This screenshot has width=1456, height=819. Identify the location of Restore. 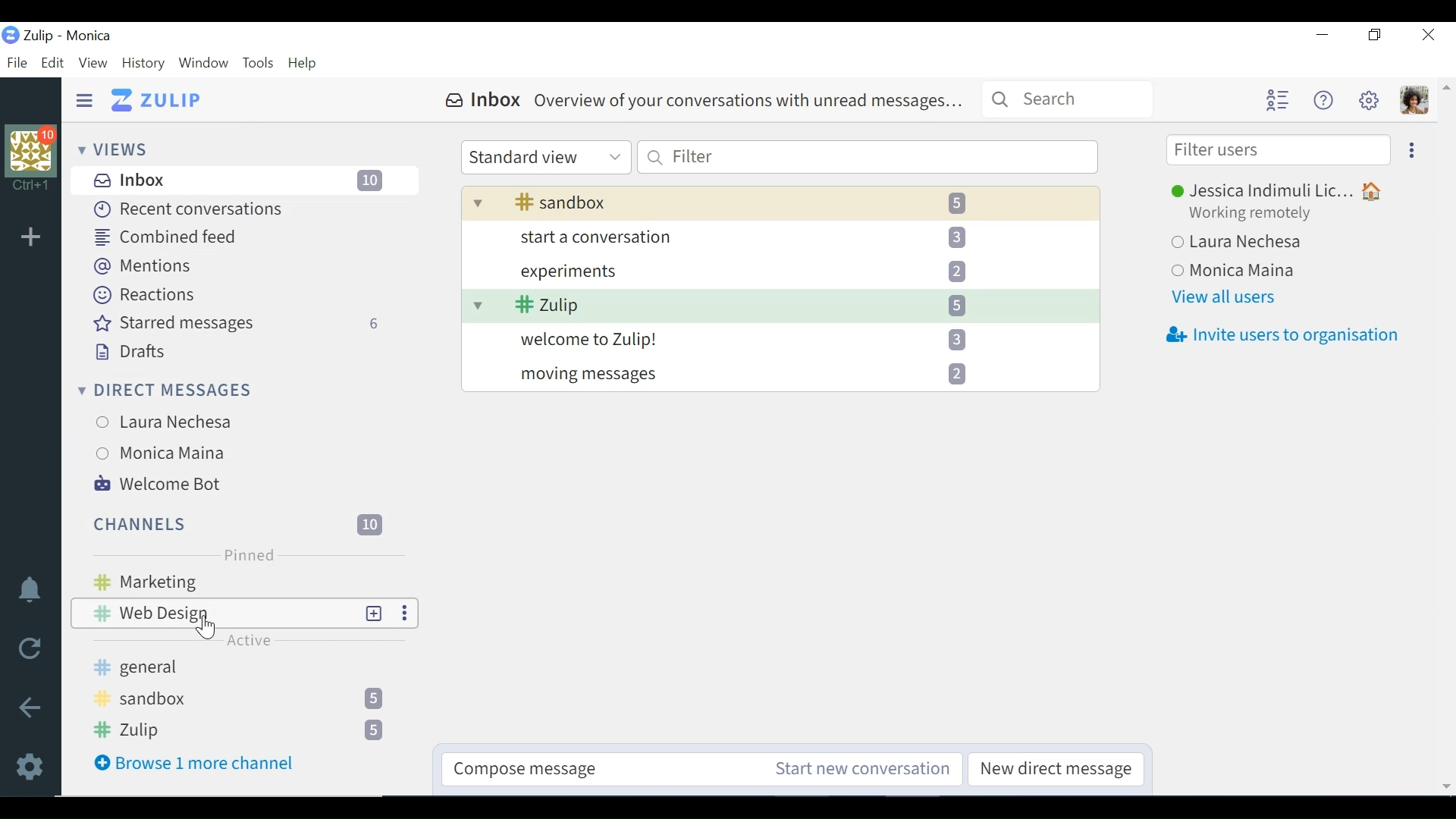
(1376, 36).